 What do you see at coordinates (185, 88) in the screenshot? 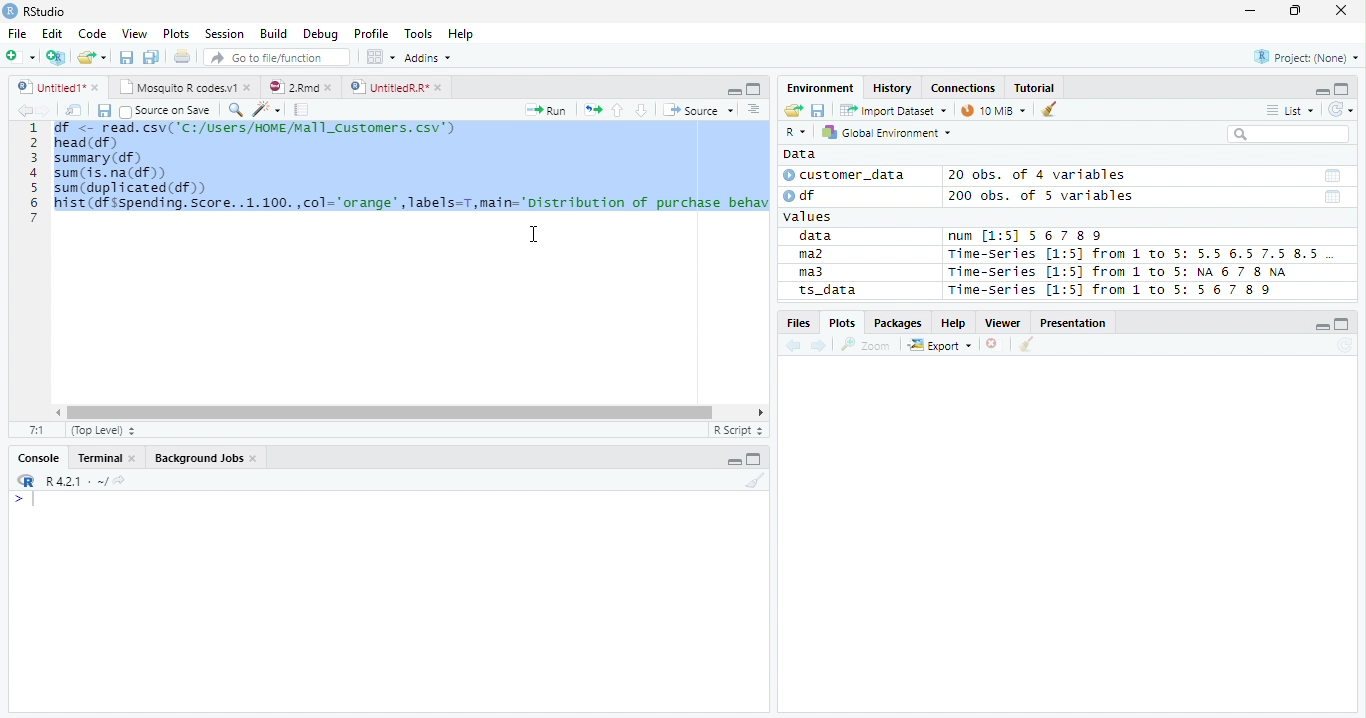
I see `Mosquito T codes.v1` at bounding box center [185, 88].